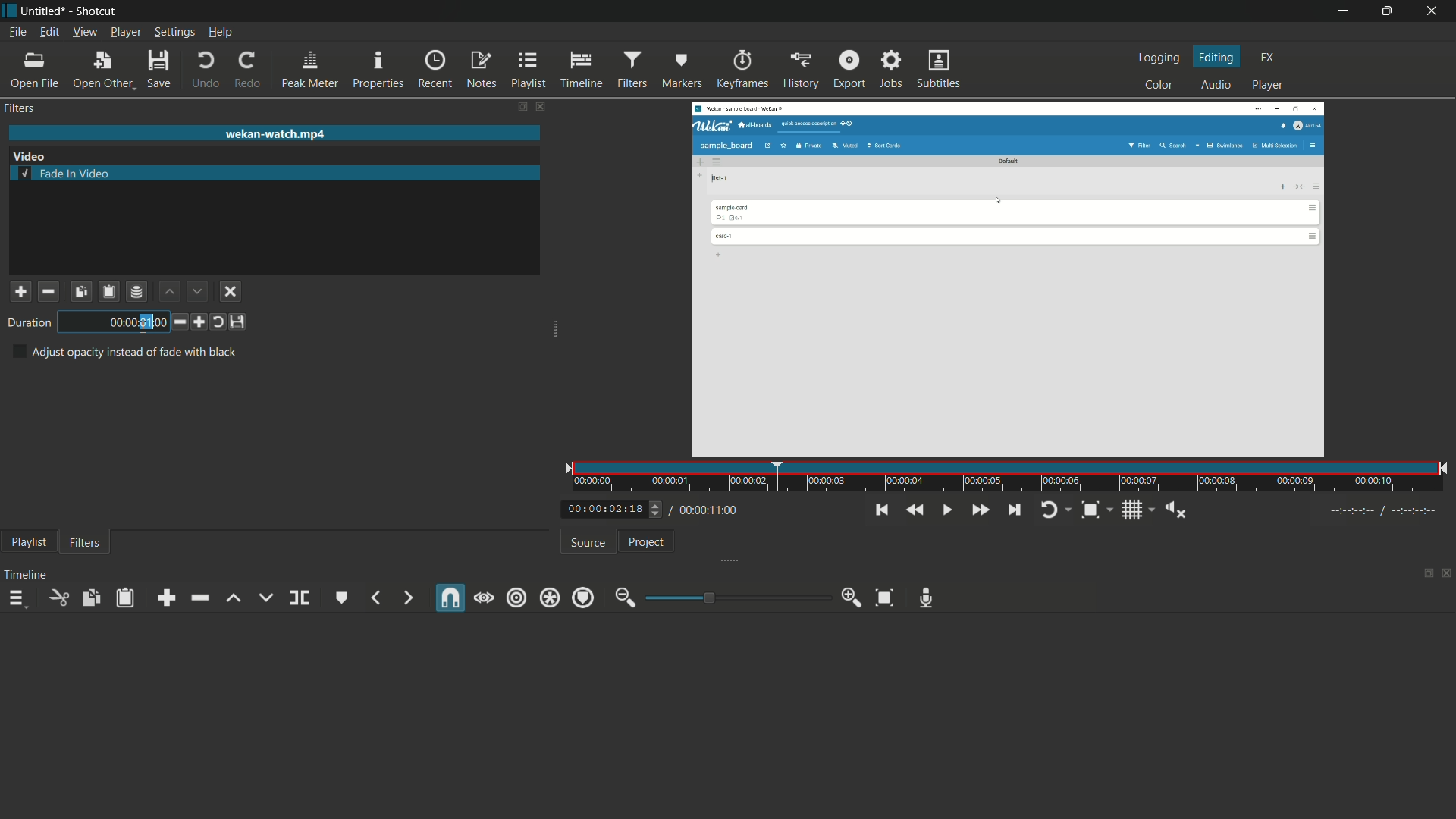  Describe the element at coordinates (199, 599) in the screenshot. I see `ripple delete` at that location.